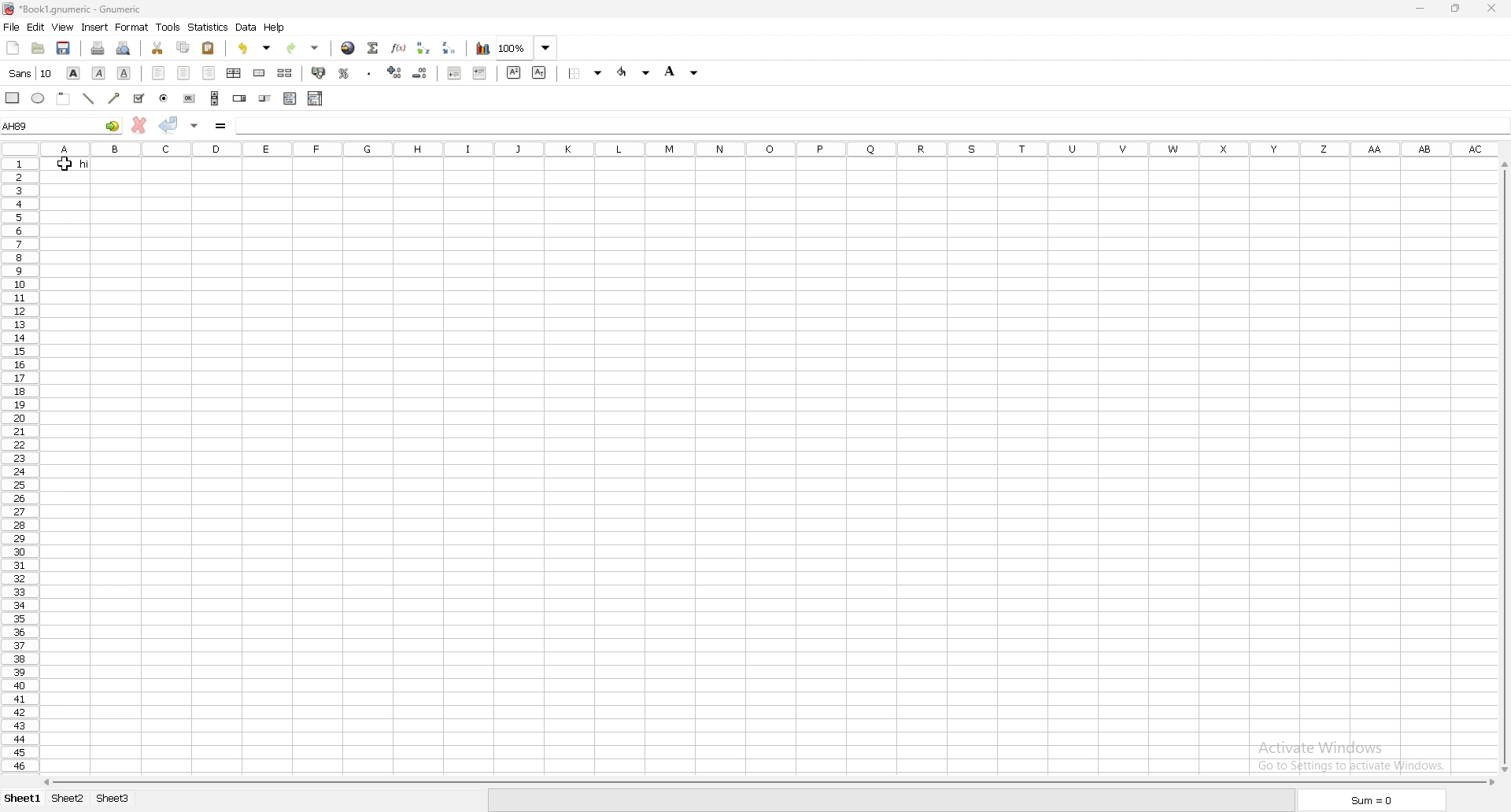  Describe the element at coordinates (12, 28) in the screenshot. I see `file` at that location.